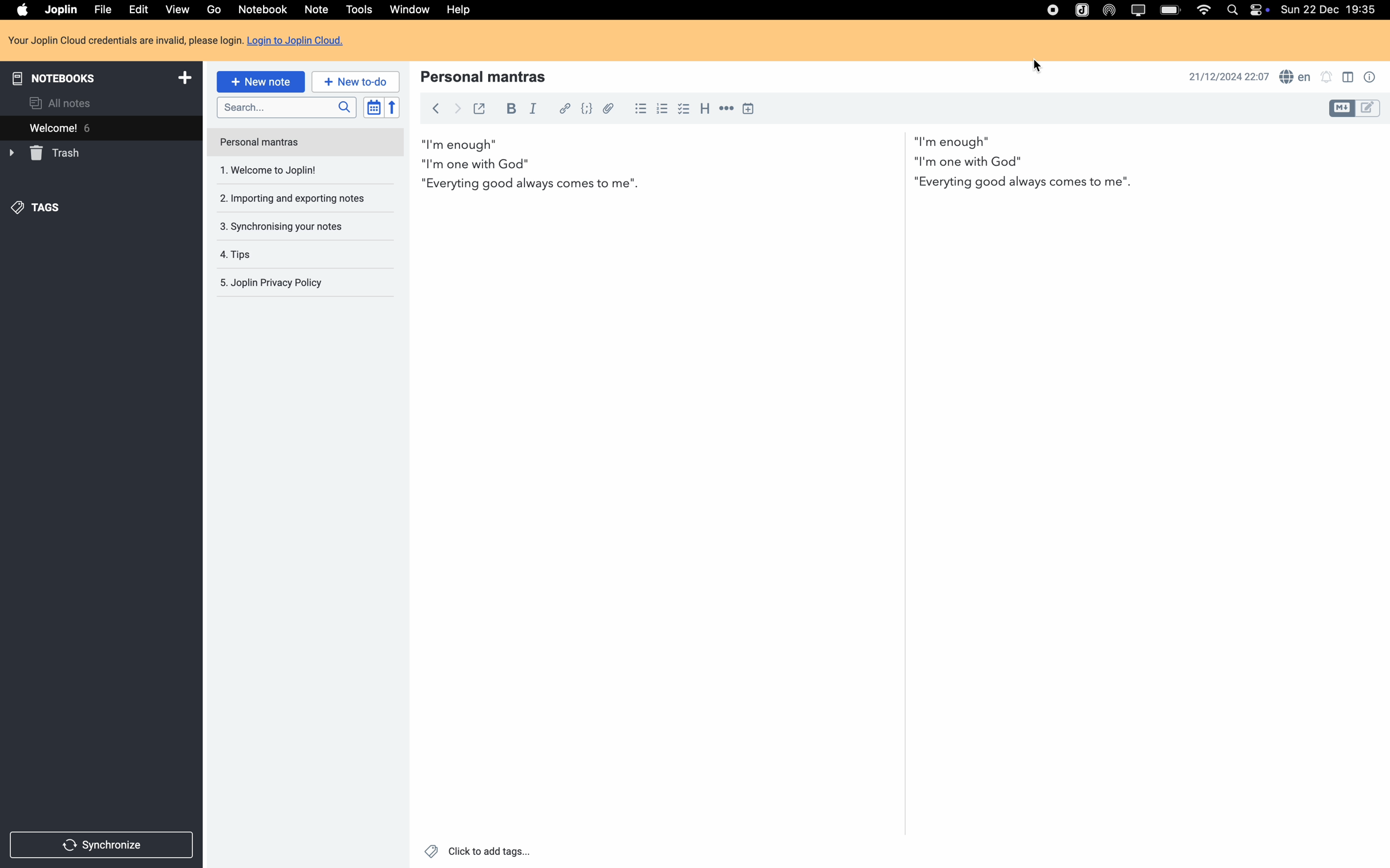 This screenshot has height=868, width=1390. What do you see at coordinates (1039, 63) in the screenshot?
I see `cursor` at bounding box center [1039, 63].